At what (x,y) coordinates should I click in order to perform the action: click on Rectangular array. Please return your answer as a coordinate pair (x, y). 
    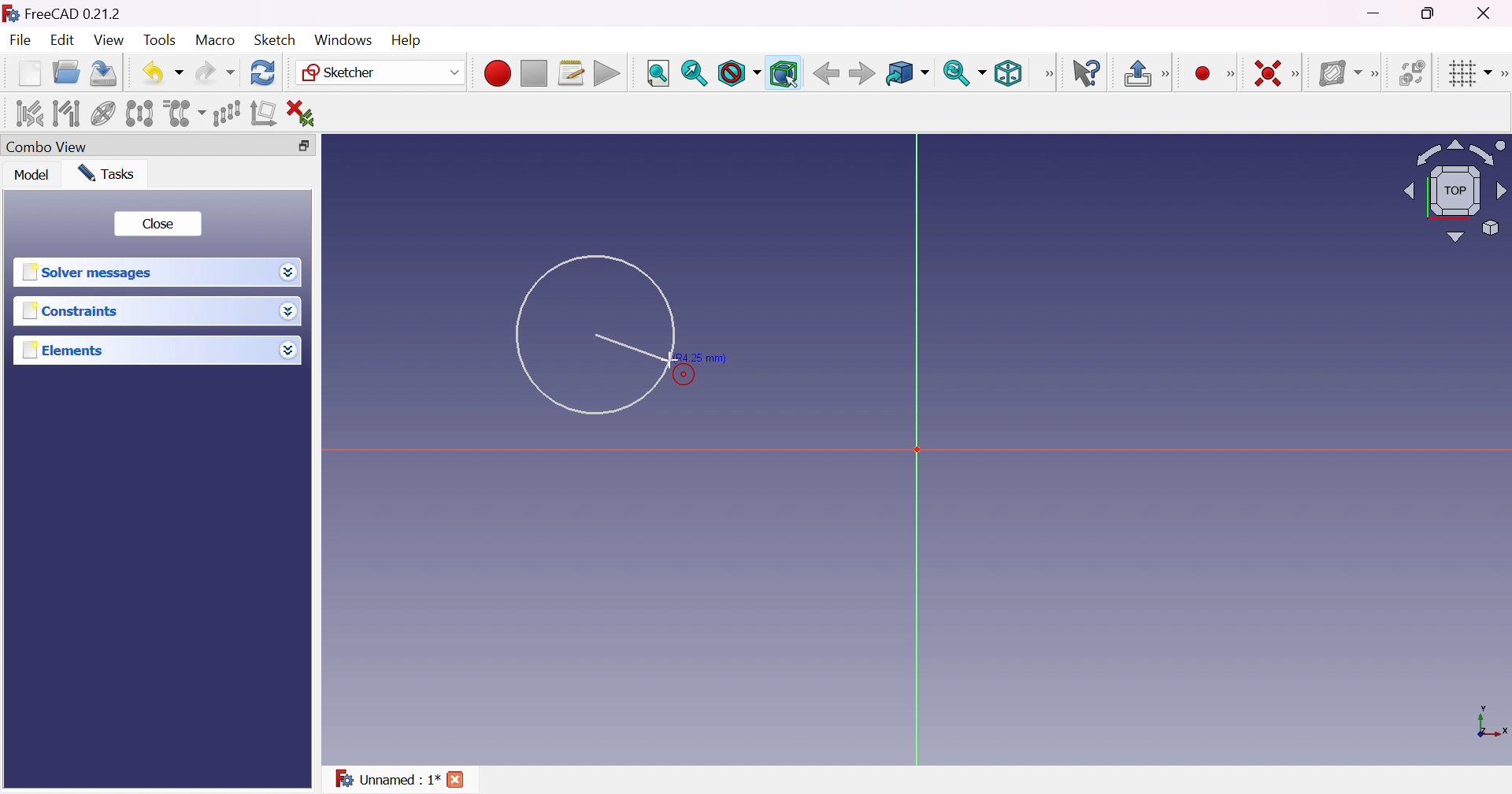
    Looking at the image, I should click on (225, 113).